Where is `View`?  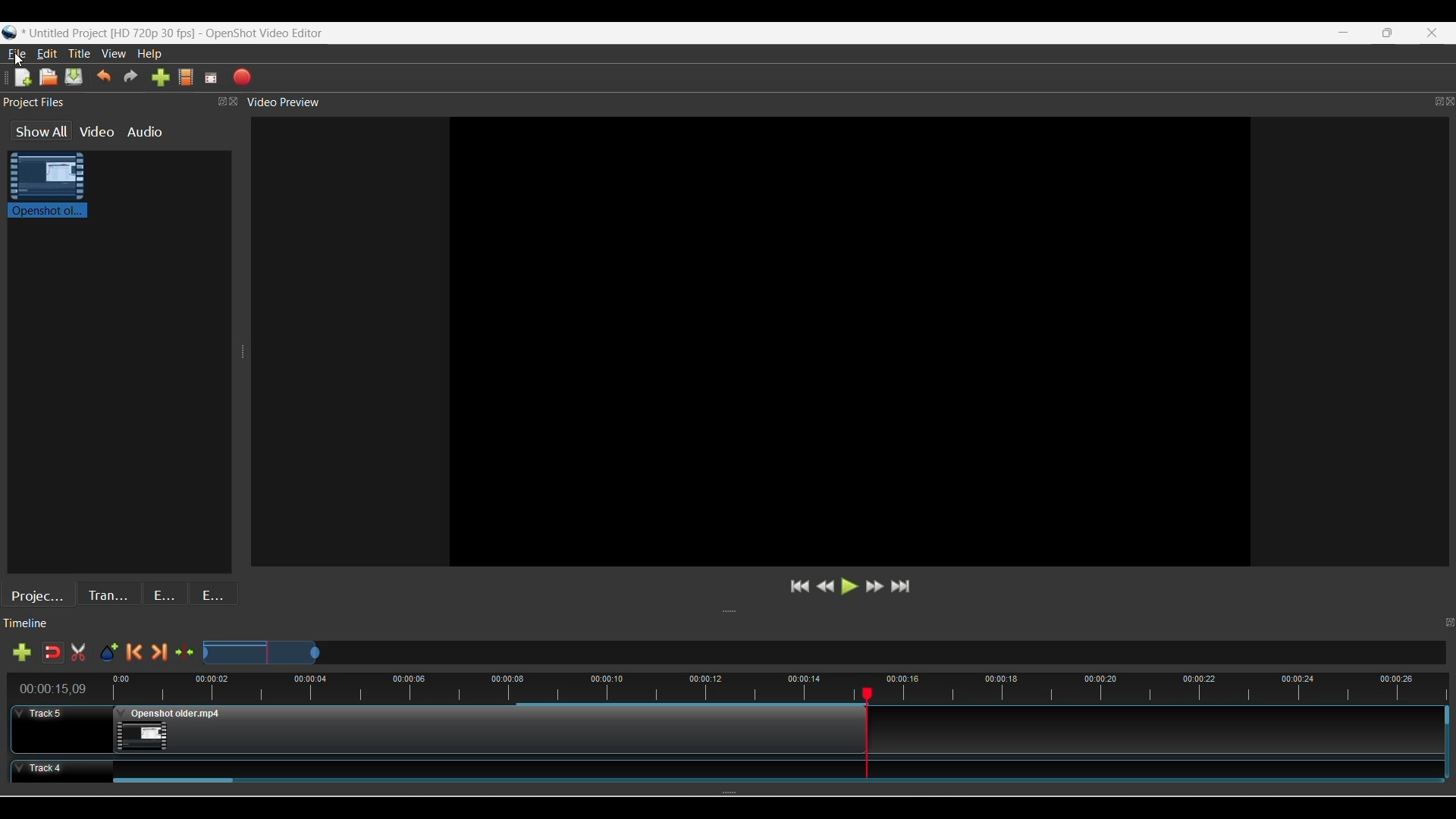 View is located at coordinates (115, 54).